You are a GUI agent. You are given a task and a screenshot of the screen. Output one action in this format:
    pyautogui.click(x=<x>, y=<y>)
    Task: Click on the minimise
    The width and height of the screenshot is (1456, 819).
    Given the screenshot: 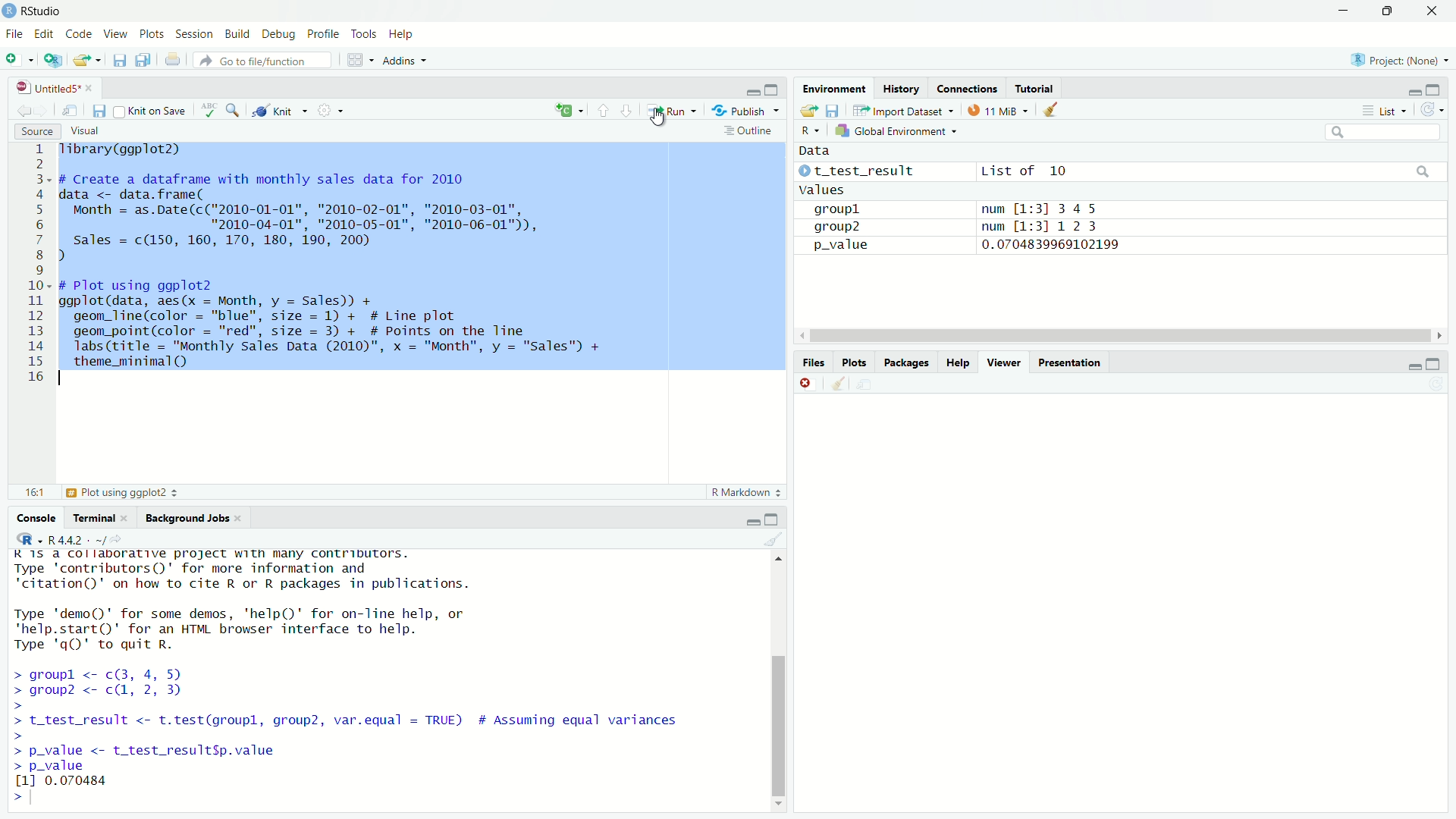 What is the action you would take?
    pyautogui.click(x=1345, y=11)
    